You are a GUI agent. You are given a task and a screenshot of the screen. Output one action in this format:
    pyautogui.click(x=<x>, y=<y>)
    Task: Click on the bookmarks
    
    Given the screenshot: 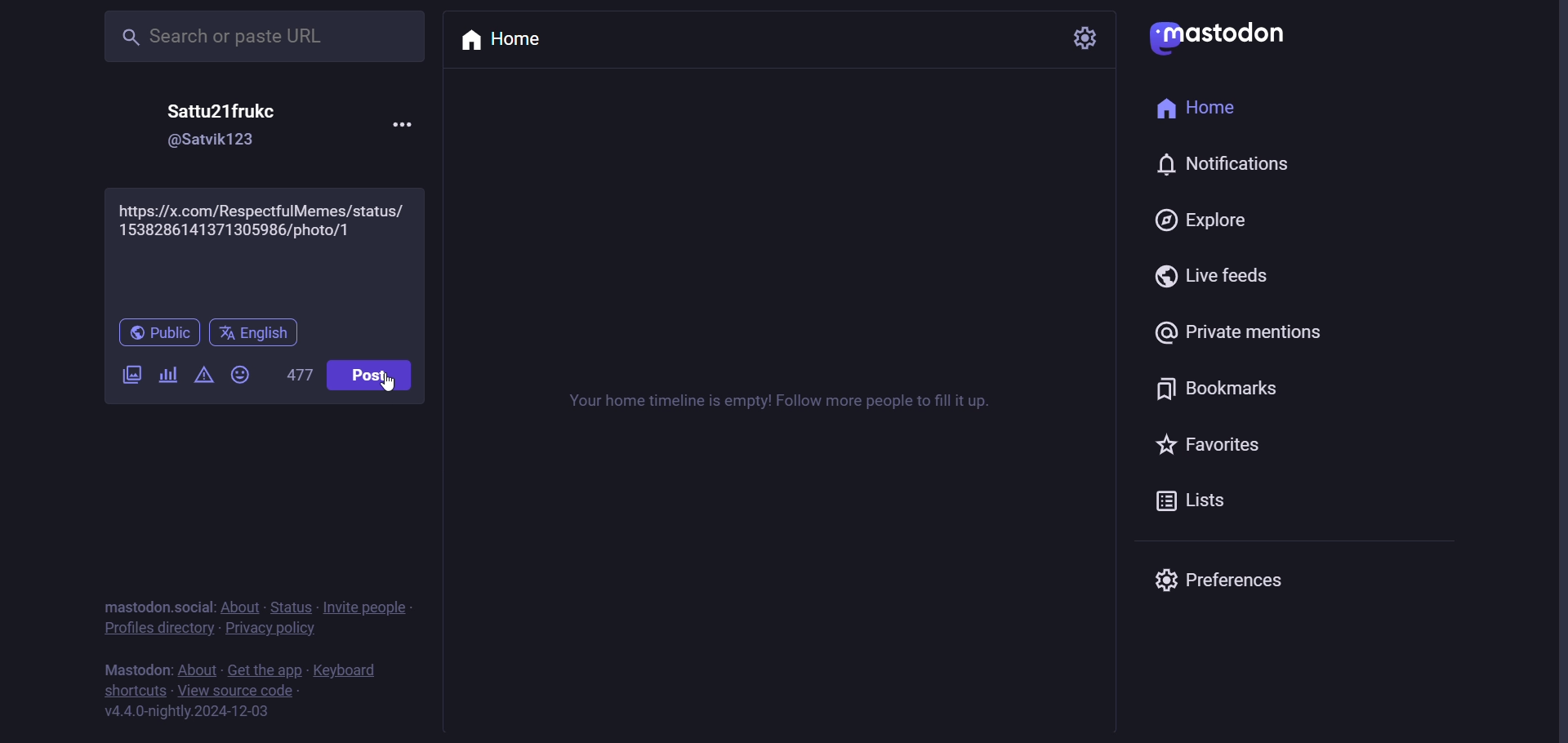 What is the action you would take?
    pyautogui.click(x=1218, y=389)
    